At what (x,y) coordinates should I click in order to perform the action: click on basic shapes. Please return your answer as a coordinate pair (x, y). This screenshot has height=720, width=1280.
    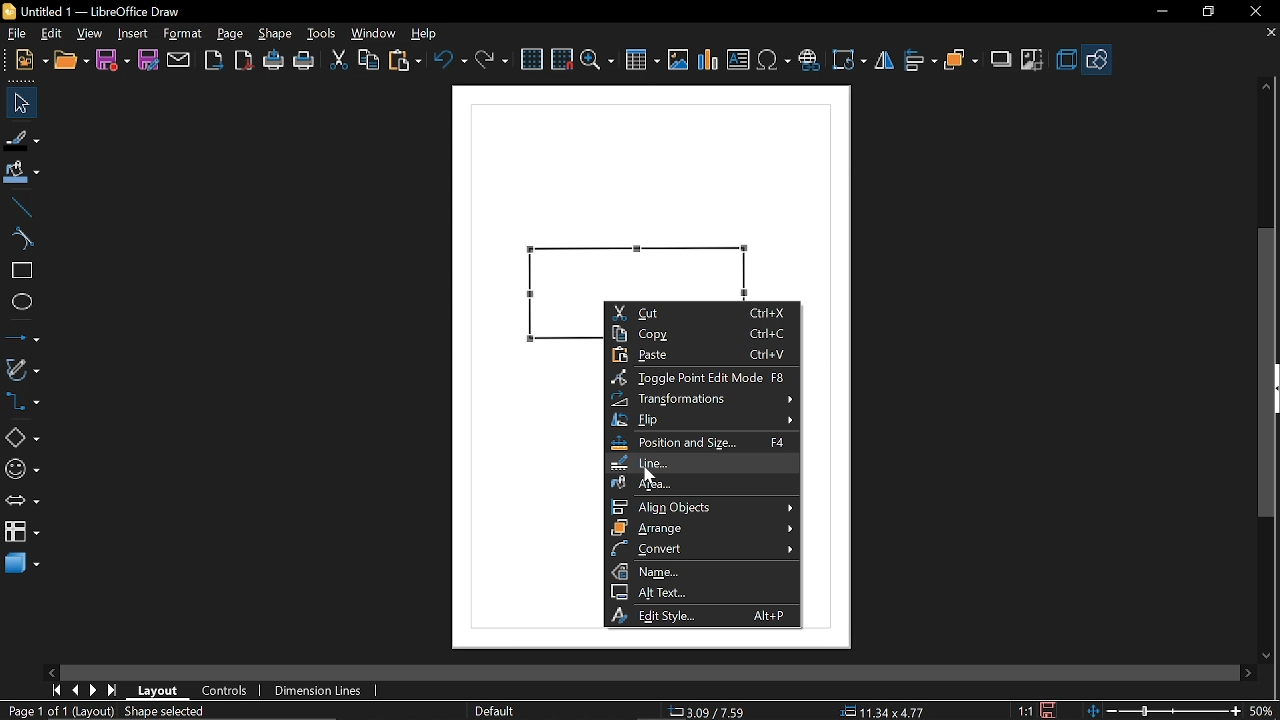
    Looking at the image, I should click on (20, 440).